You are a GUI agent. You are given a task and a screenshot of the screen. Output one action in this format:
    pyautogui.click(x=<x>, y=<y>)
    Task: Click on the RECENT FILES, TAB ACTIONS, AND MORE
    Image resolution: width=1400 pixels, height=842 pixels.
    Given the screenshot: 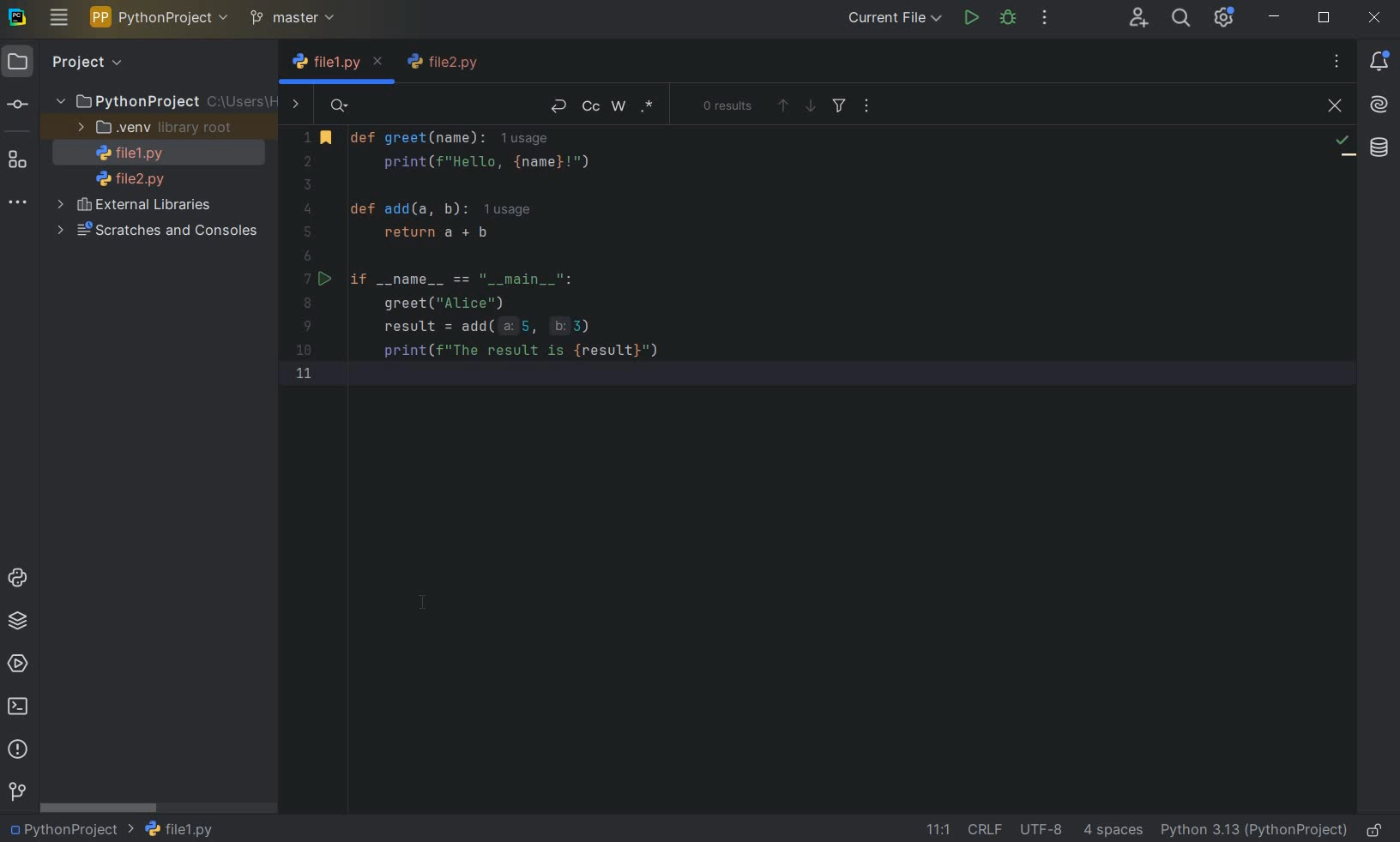 What is the action you would take?
    pyautogui.click(x=1336, y=61)
    